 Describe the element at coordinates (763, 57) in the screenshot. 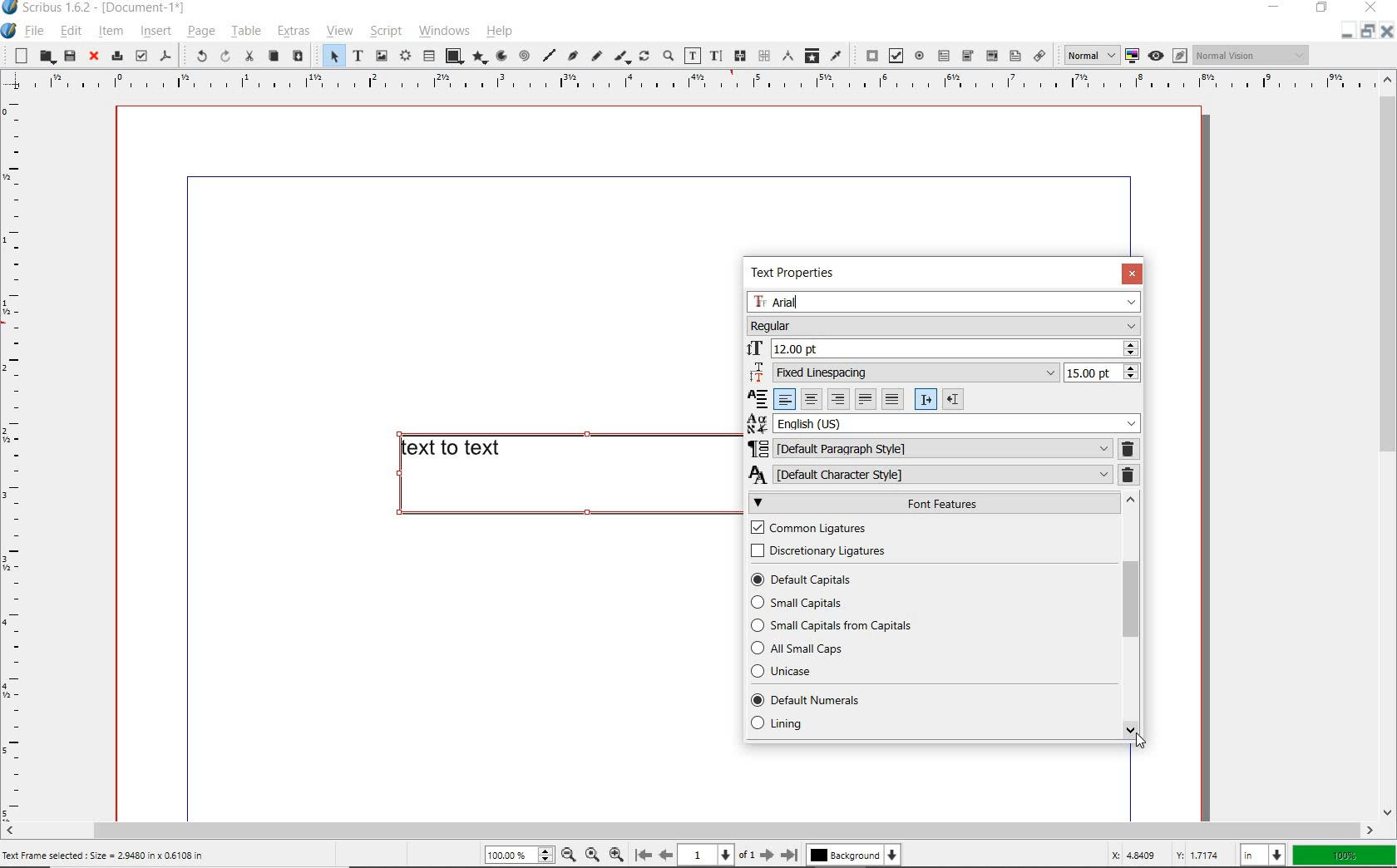

I see `unlink text frames` at that location.